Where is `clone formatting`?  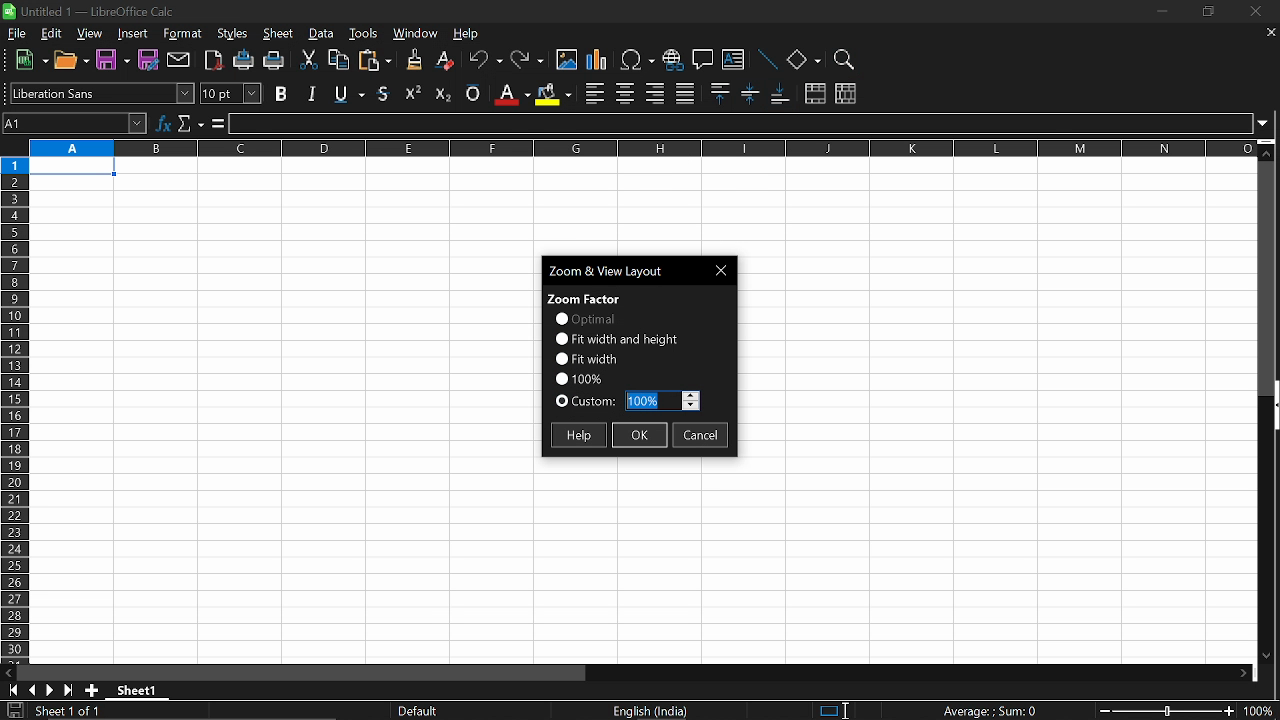 clone formatting is located at coordinates (410, 59).